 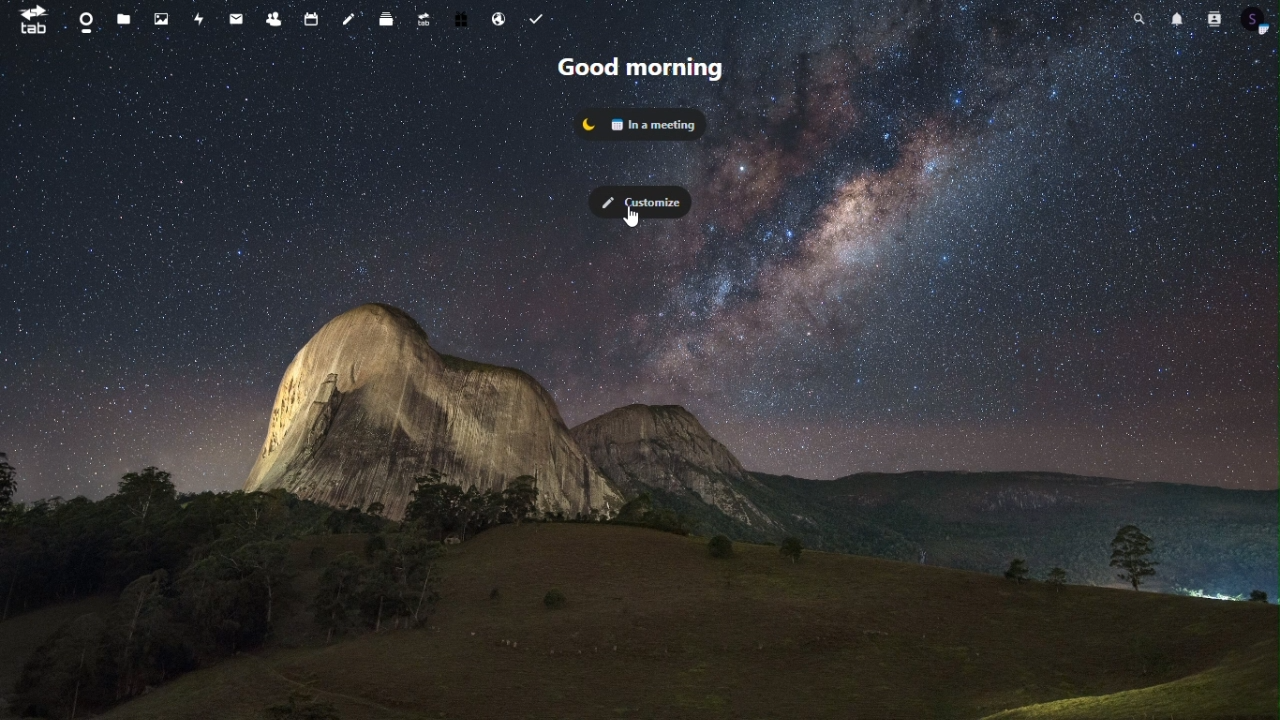 I want to click on contacts, so click(x=1216, y=21).